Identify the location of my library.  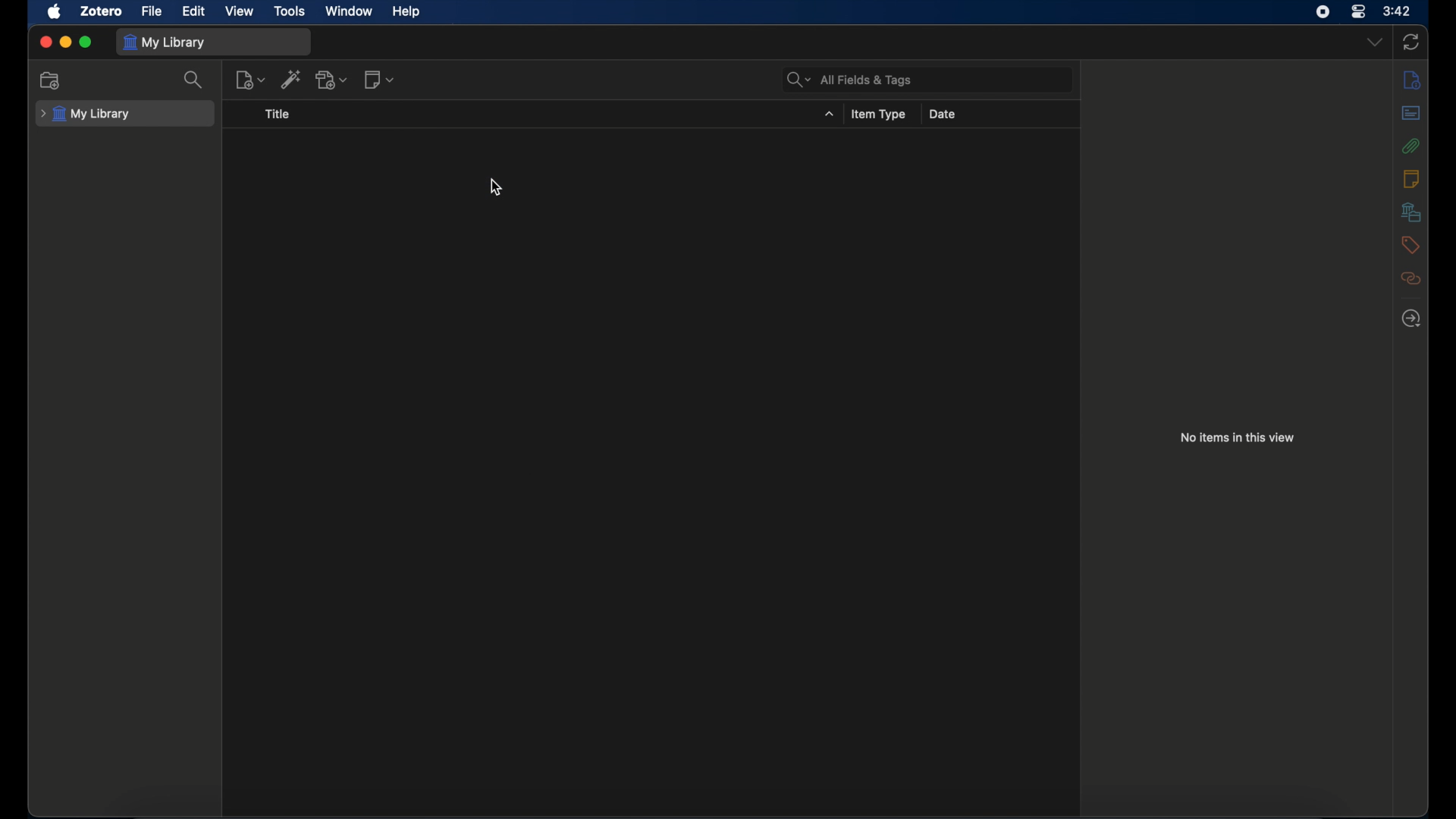
(85, 114).